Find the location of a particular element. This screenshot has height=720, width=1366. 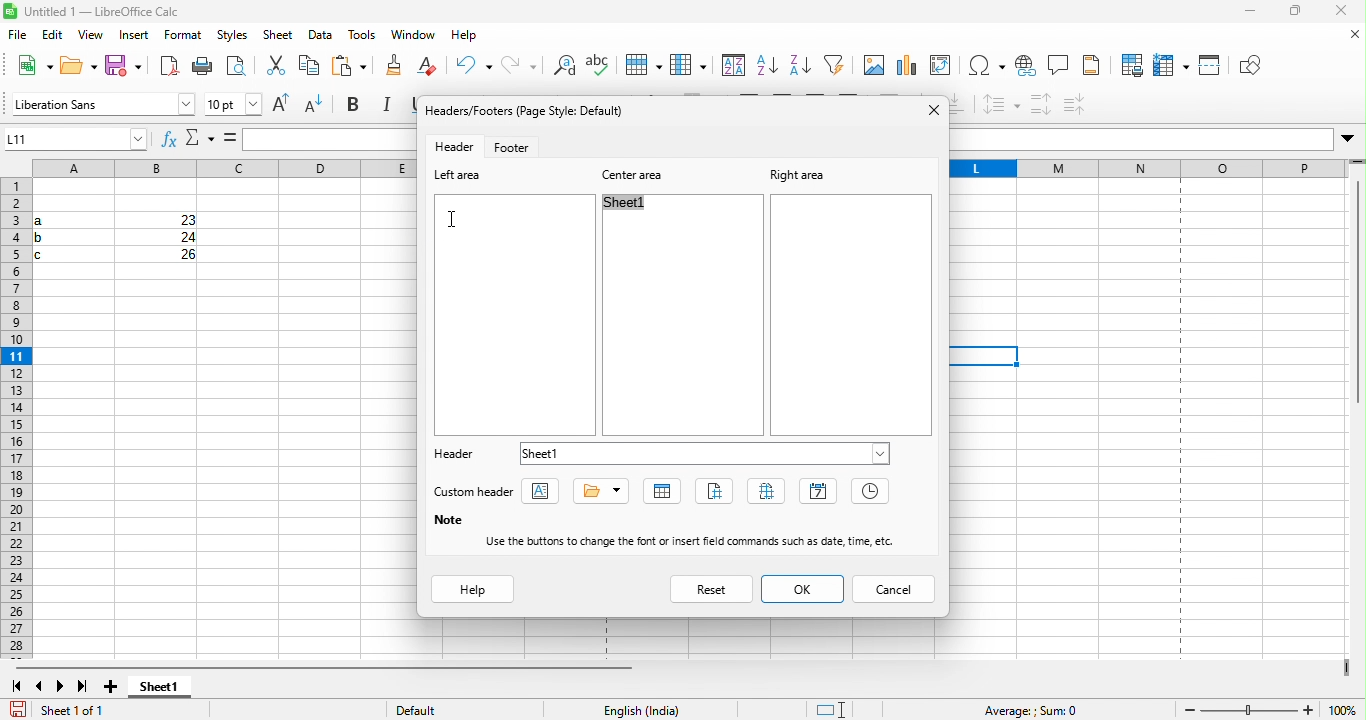

print is located at coordinates (202, 67).